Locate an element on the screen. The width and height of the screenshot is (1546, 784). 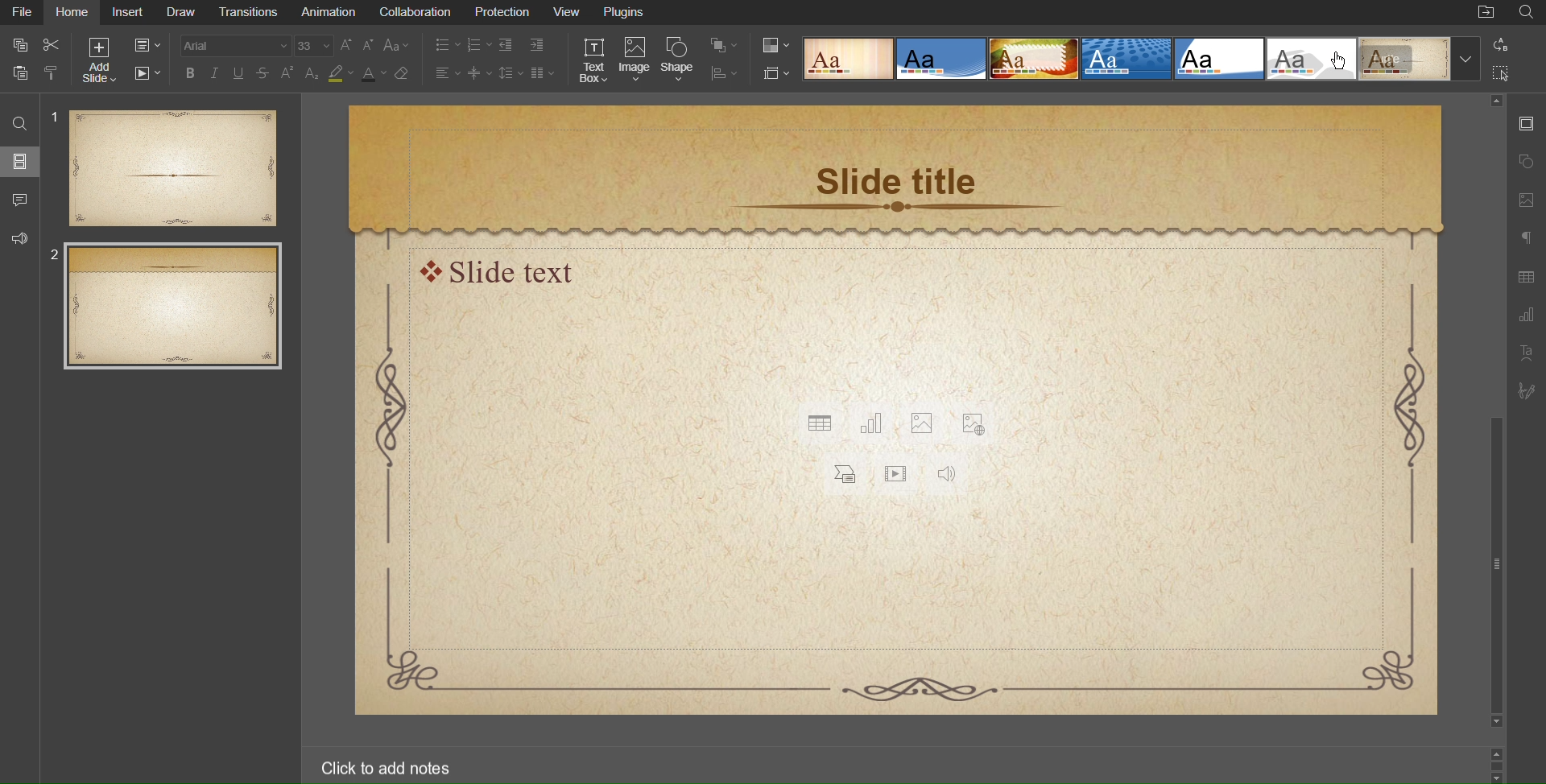
Underline is located at coordinates (241, 74).